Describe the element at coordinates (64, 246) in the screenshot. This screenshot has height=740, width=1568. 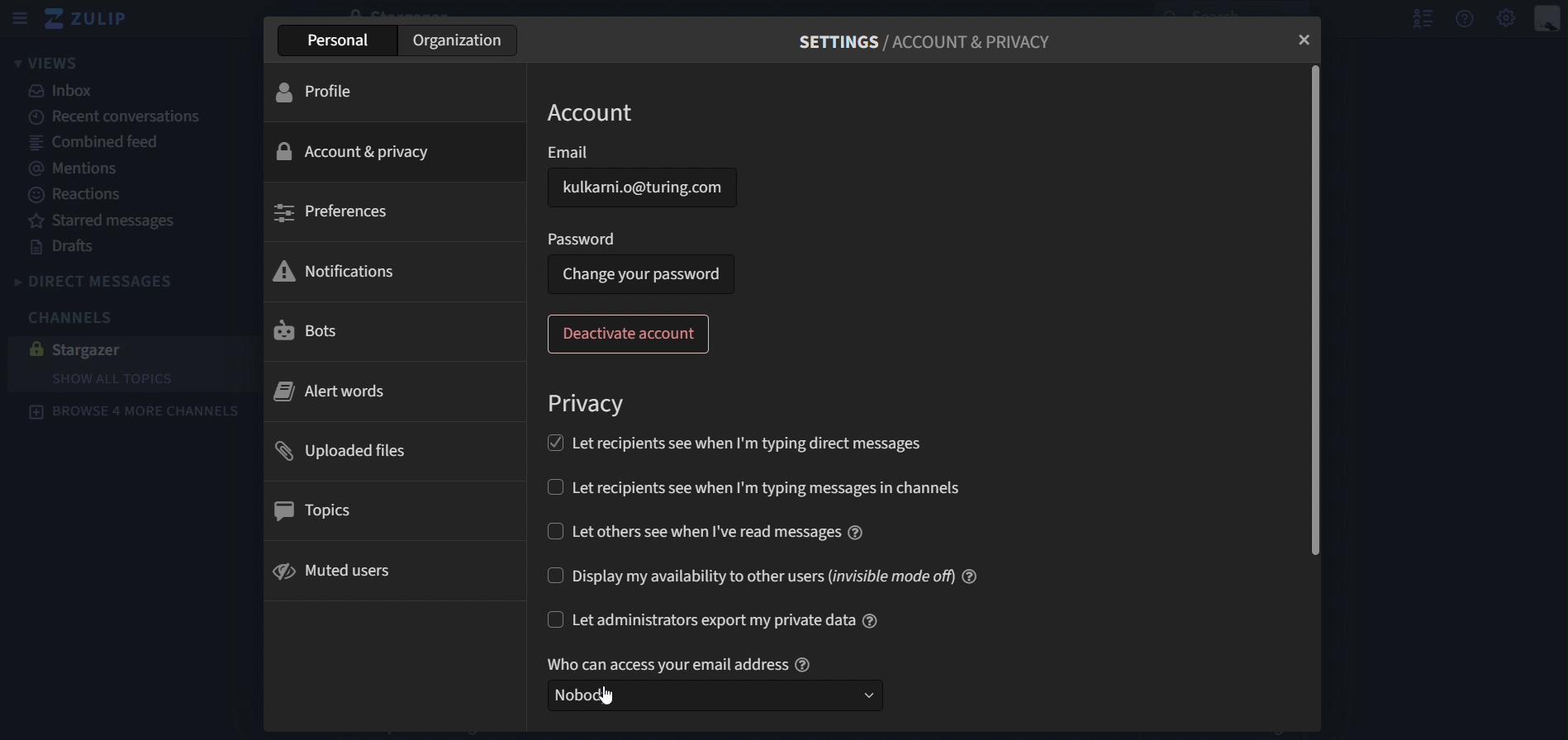
I see `drafts` at that location.